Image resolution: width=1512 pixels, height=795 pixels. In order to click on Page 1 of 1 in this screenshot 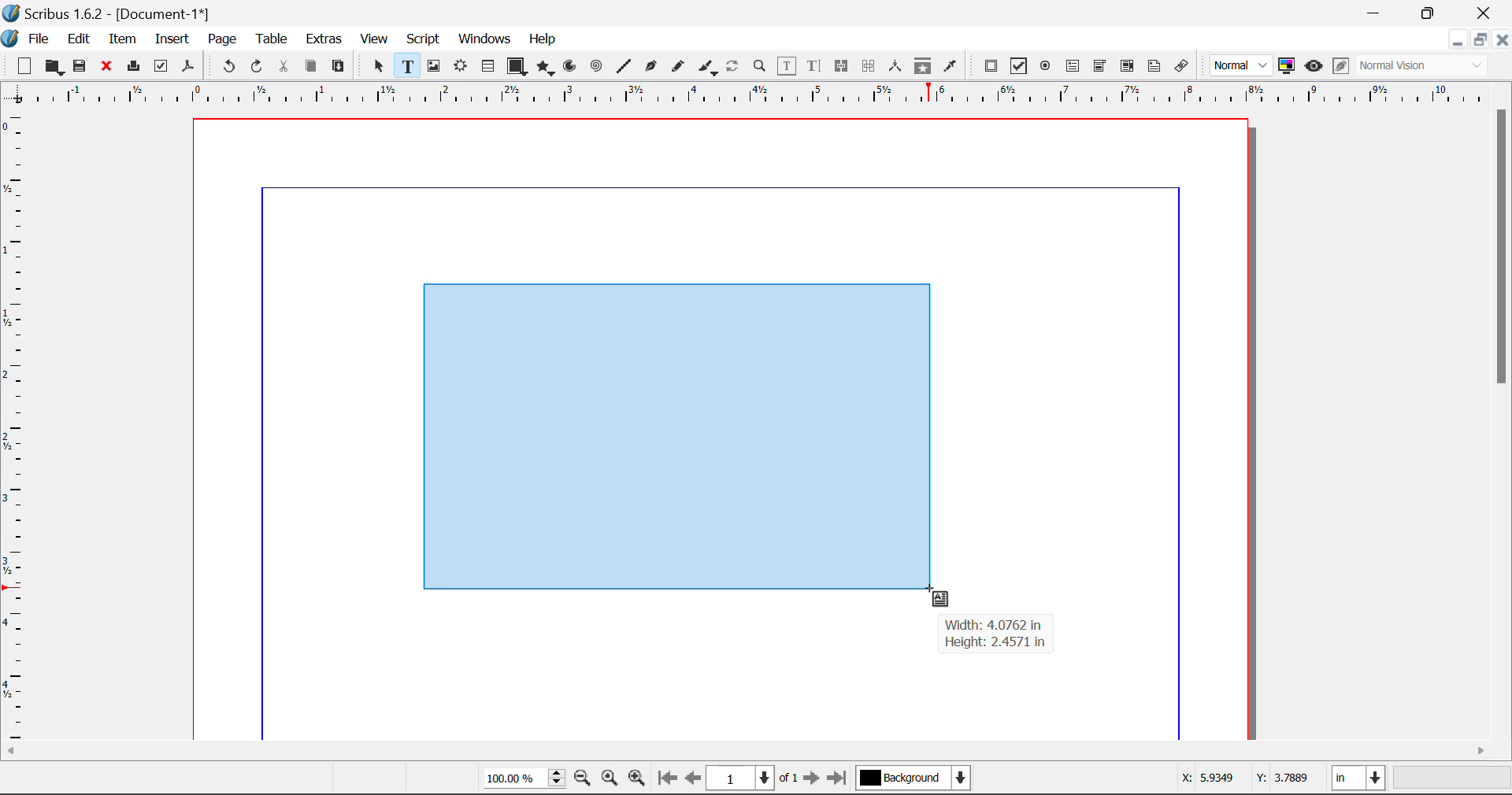, I will do `click(754, 778)`.